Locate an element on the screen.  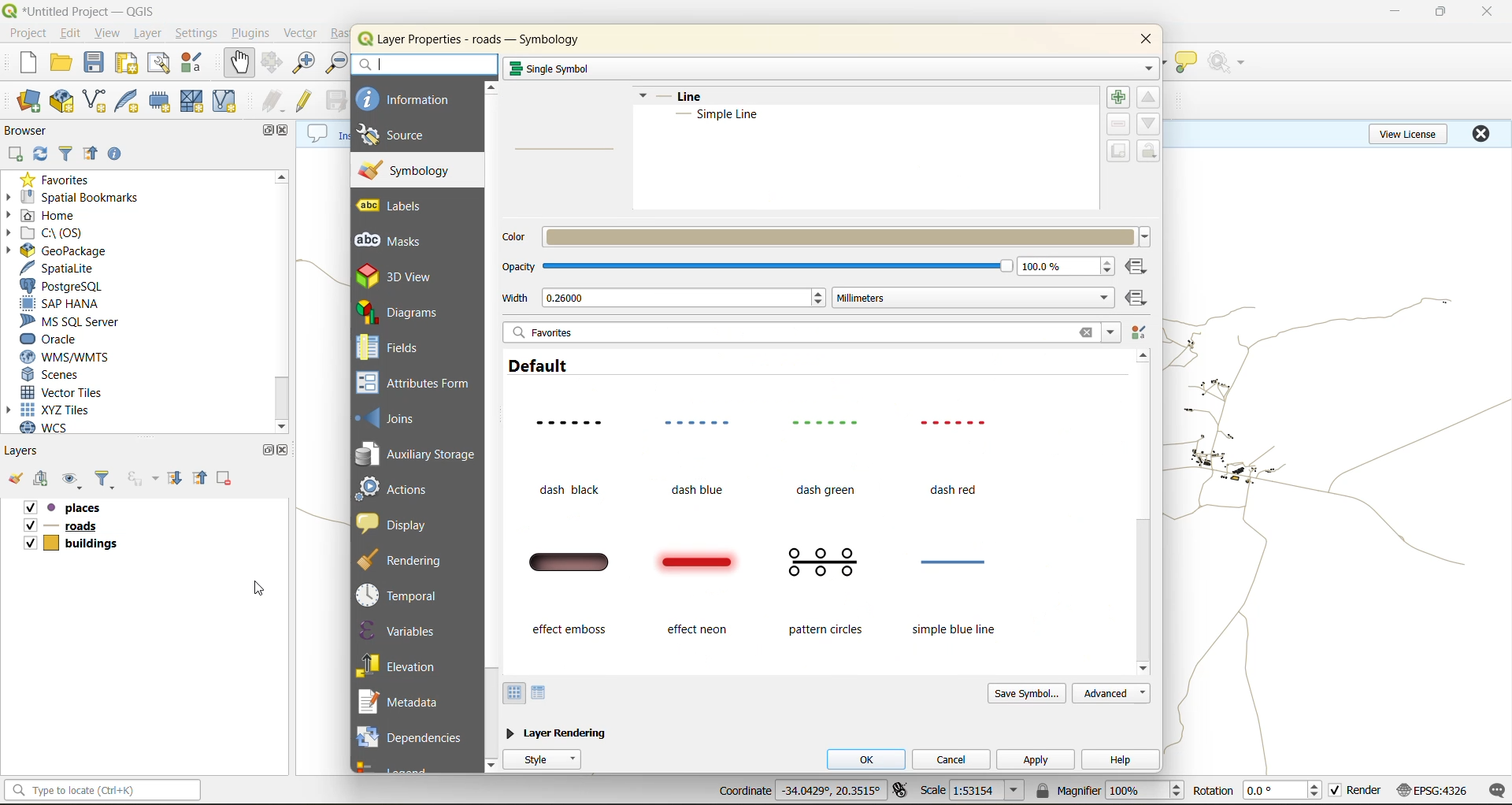
settings is located at coordinates (198, 34).